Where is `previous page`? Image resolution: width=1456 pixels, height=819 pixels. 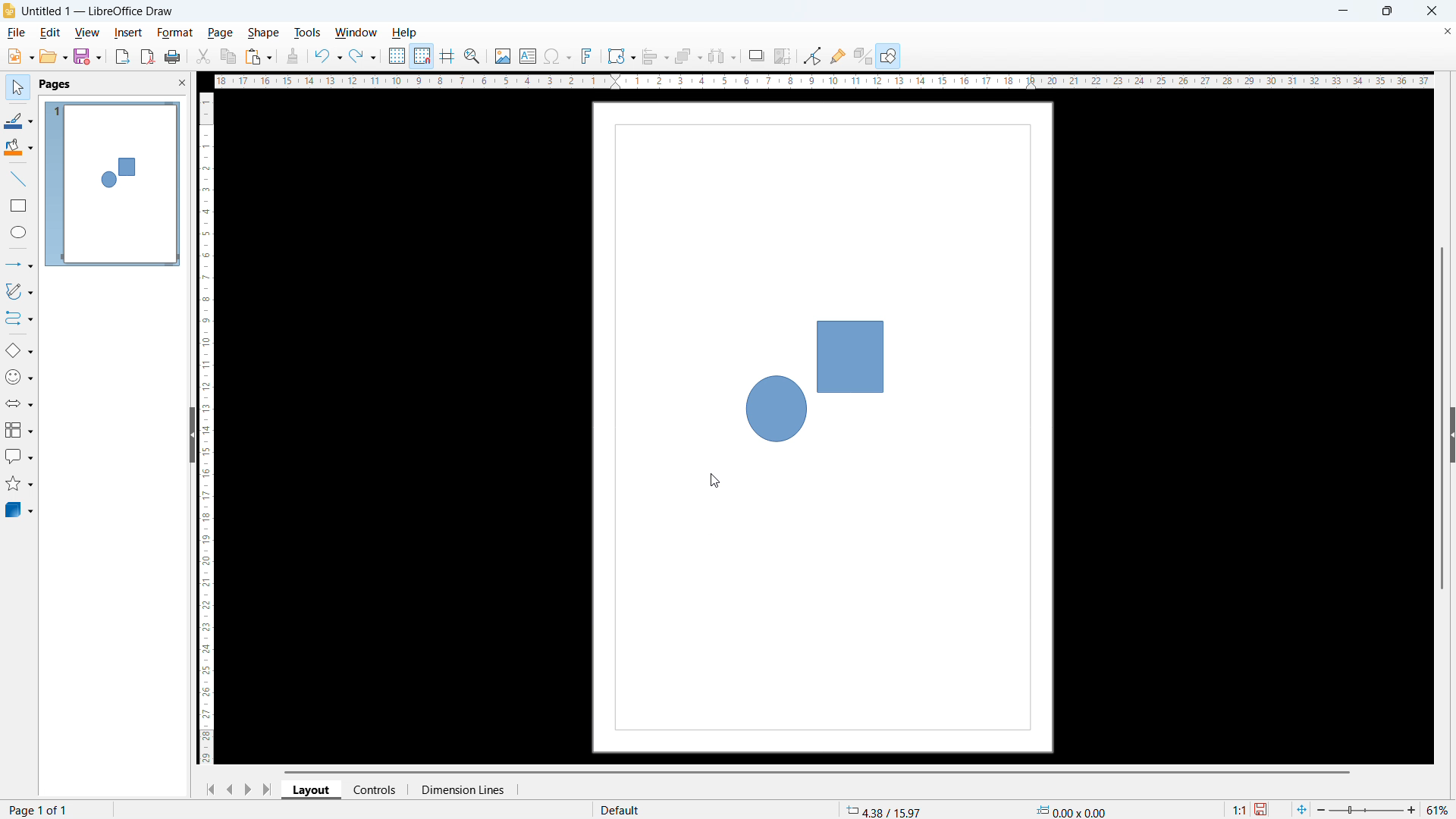 previous page is located at coordinates (231, 789).